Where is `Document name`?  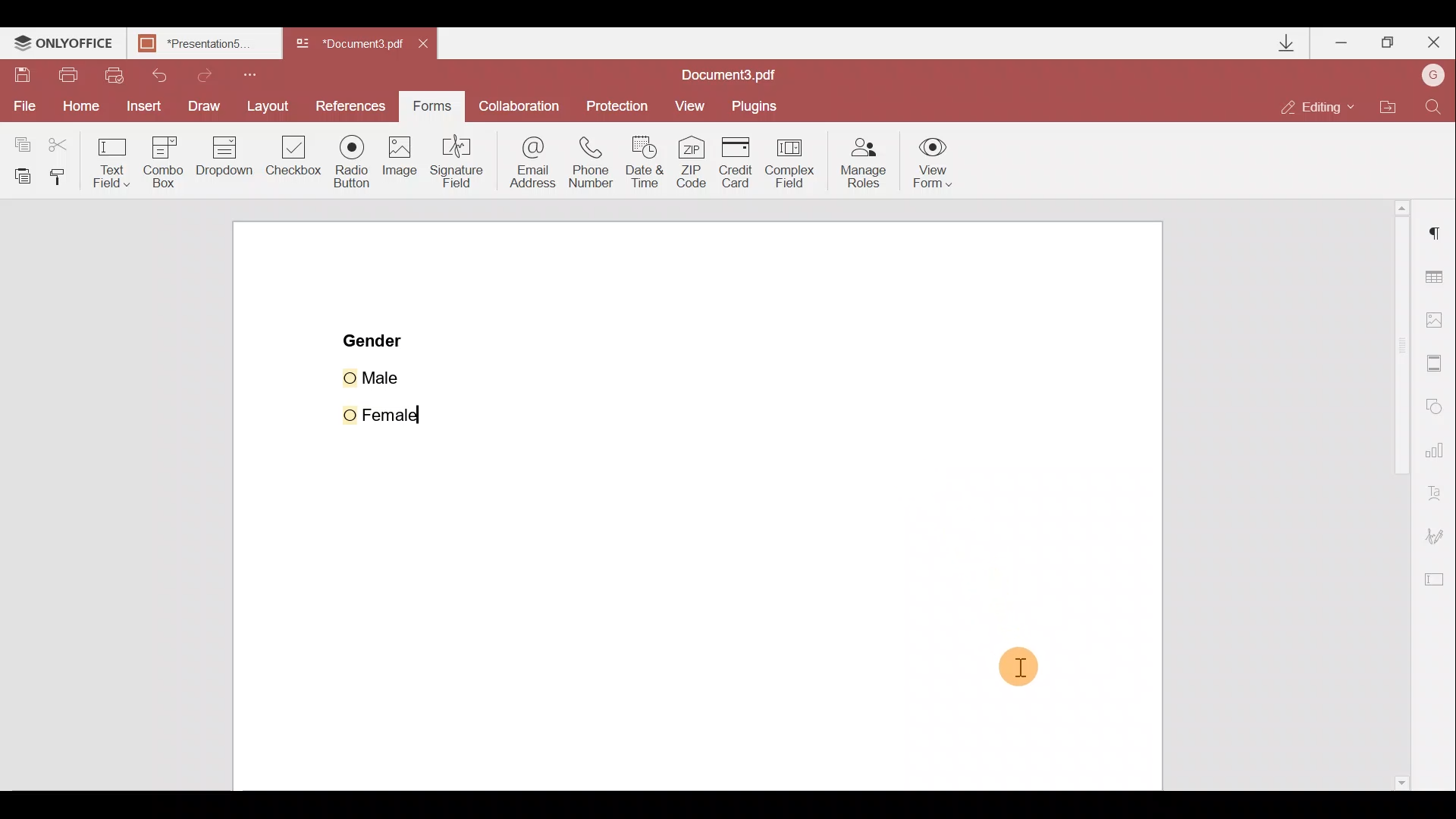
Document name is located at coordinates (202, 43).